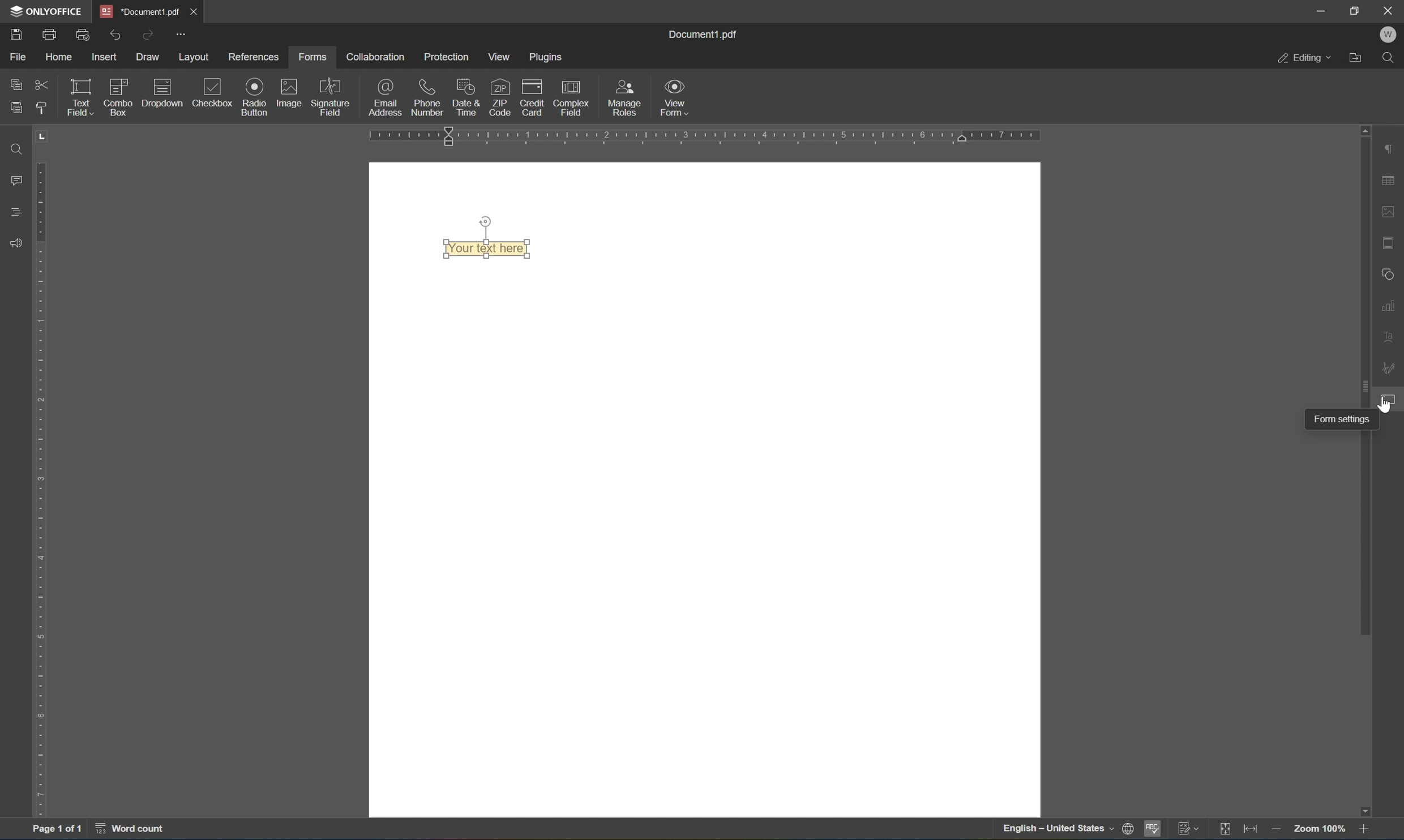  I want to click on file, so click(15, 56).